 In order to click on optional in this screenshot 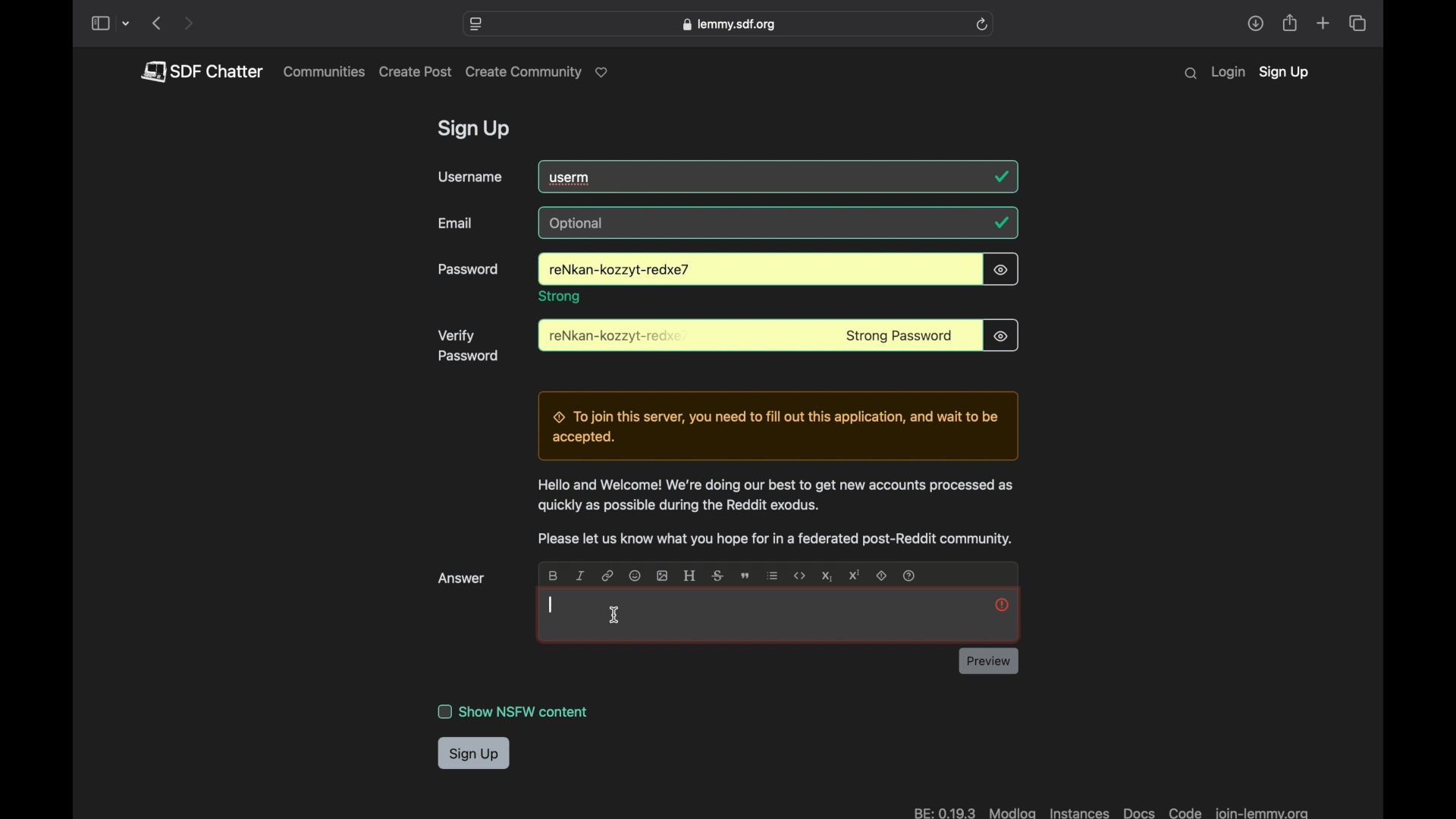, I will do `click(579, 224)`.